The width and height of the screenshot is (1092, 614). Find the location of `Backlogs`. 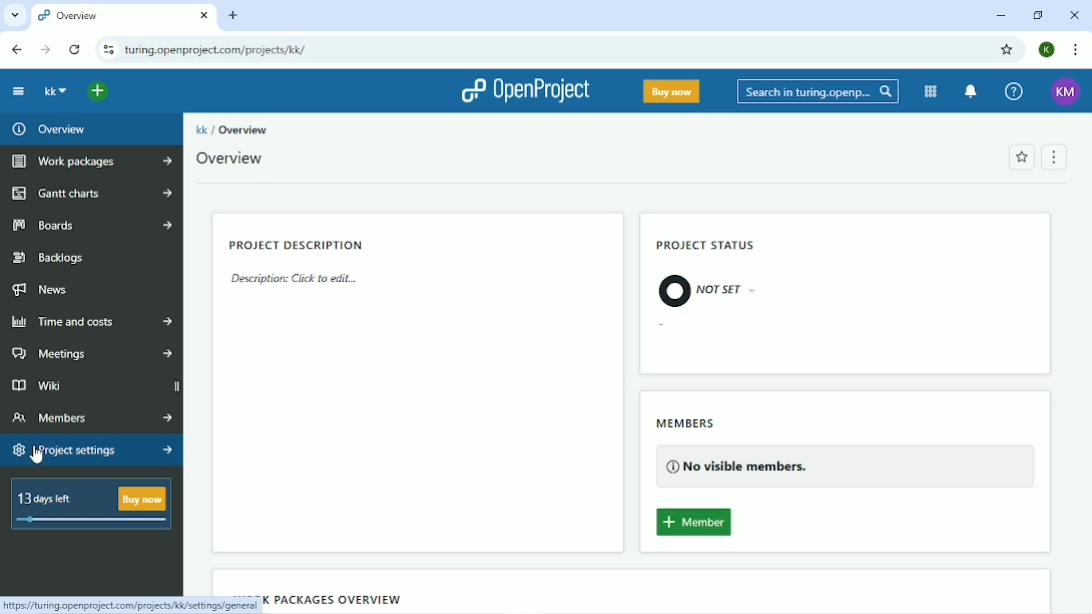

Backlogs is located at coordinates (48, 258).